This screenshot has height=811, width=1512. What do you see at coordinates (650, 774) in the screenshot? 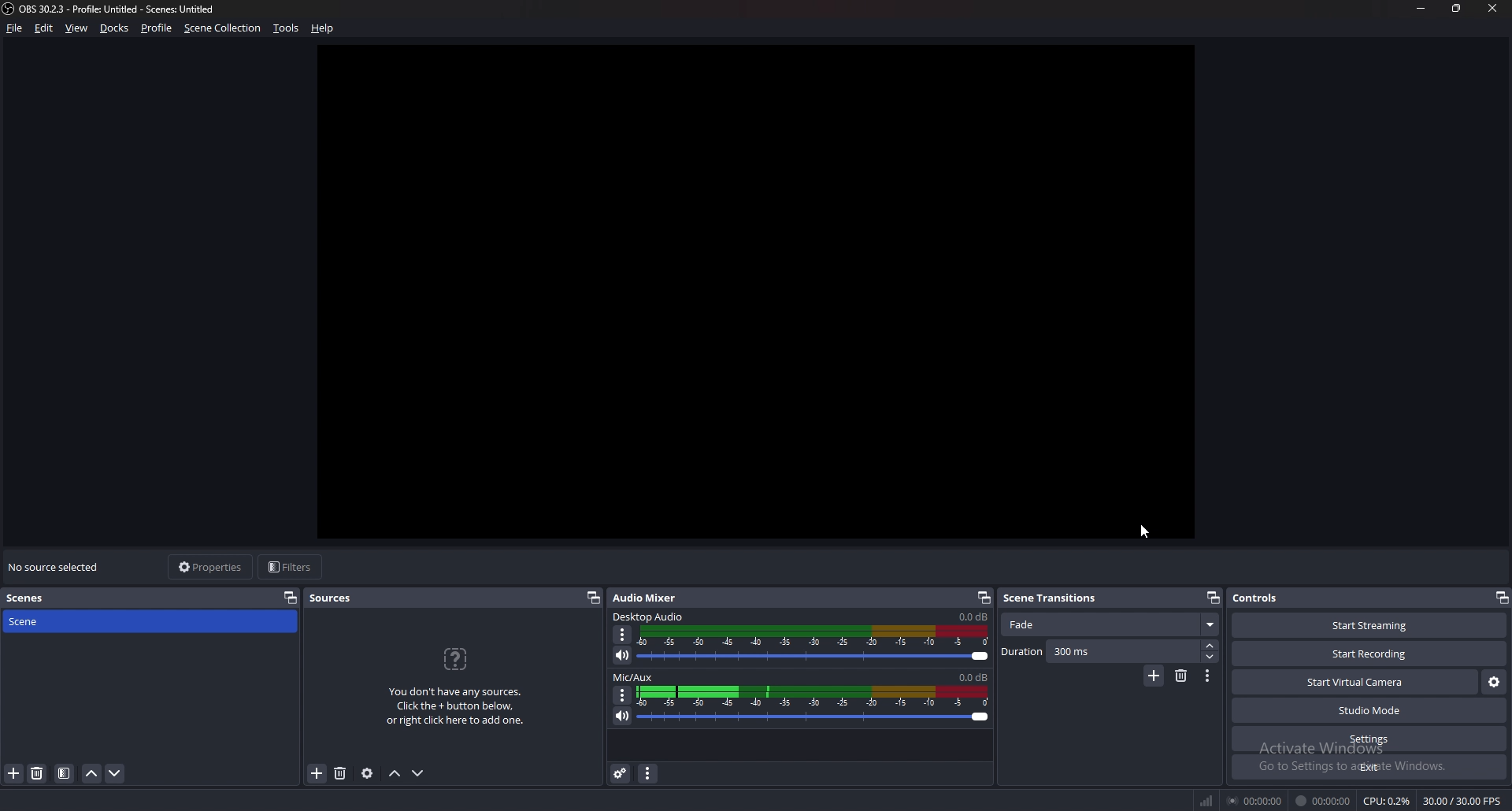
I see `audio mixer menu` at bounding box center [650, 774].